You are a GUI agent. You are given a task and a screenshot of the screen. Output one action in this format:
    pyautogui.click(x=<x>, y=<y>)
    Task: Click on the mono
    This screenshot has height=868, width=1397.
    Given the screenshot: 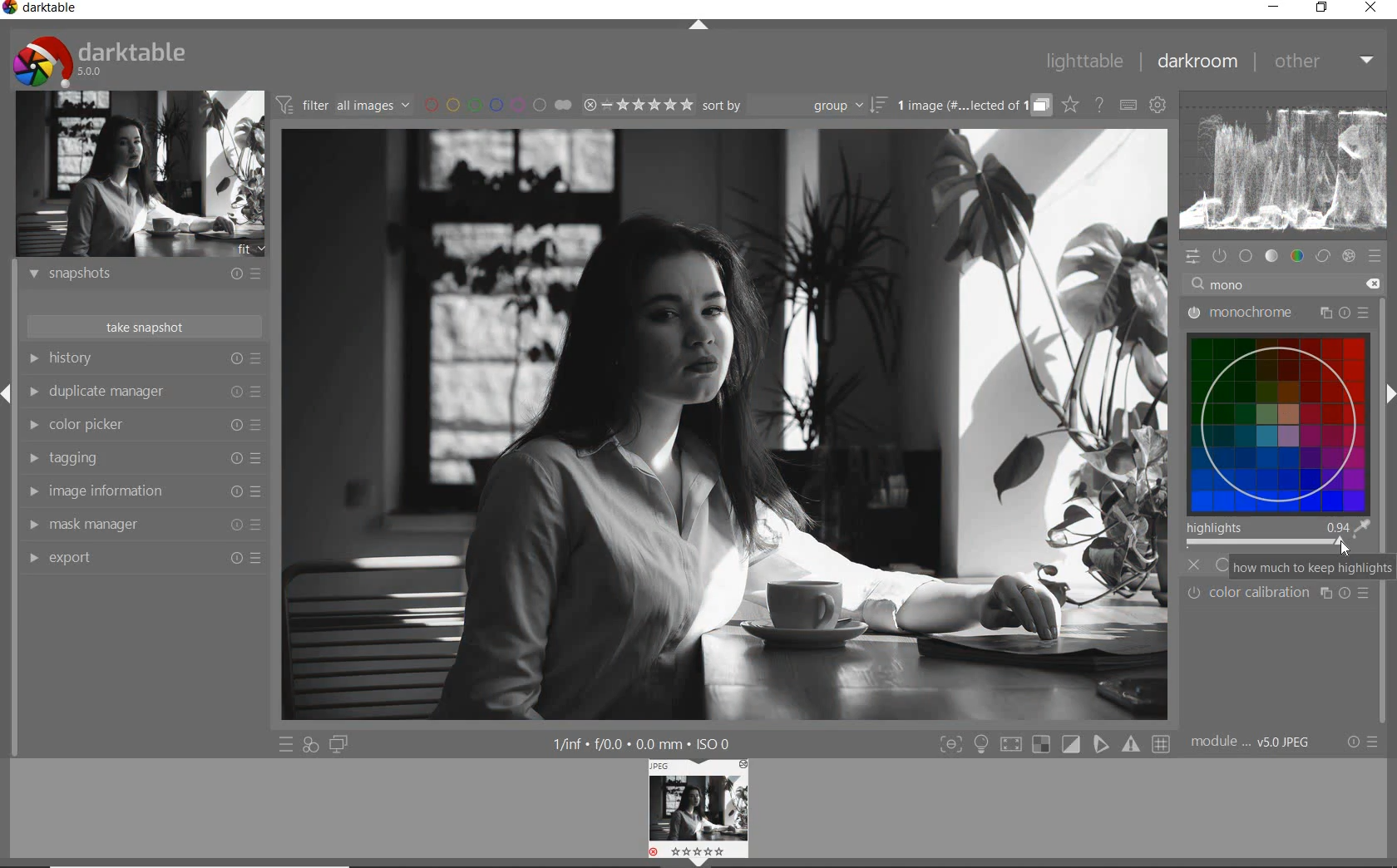 What is the action you would take?
    pyautogui.click(x=1286, y=282)
    